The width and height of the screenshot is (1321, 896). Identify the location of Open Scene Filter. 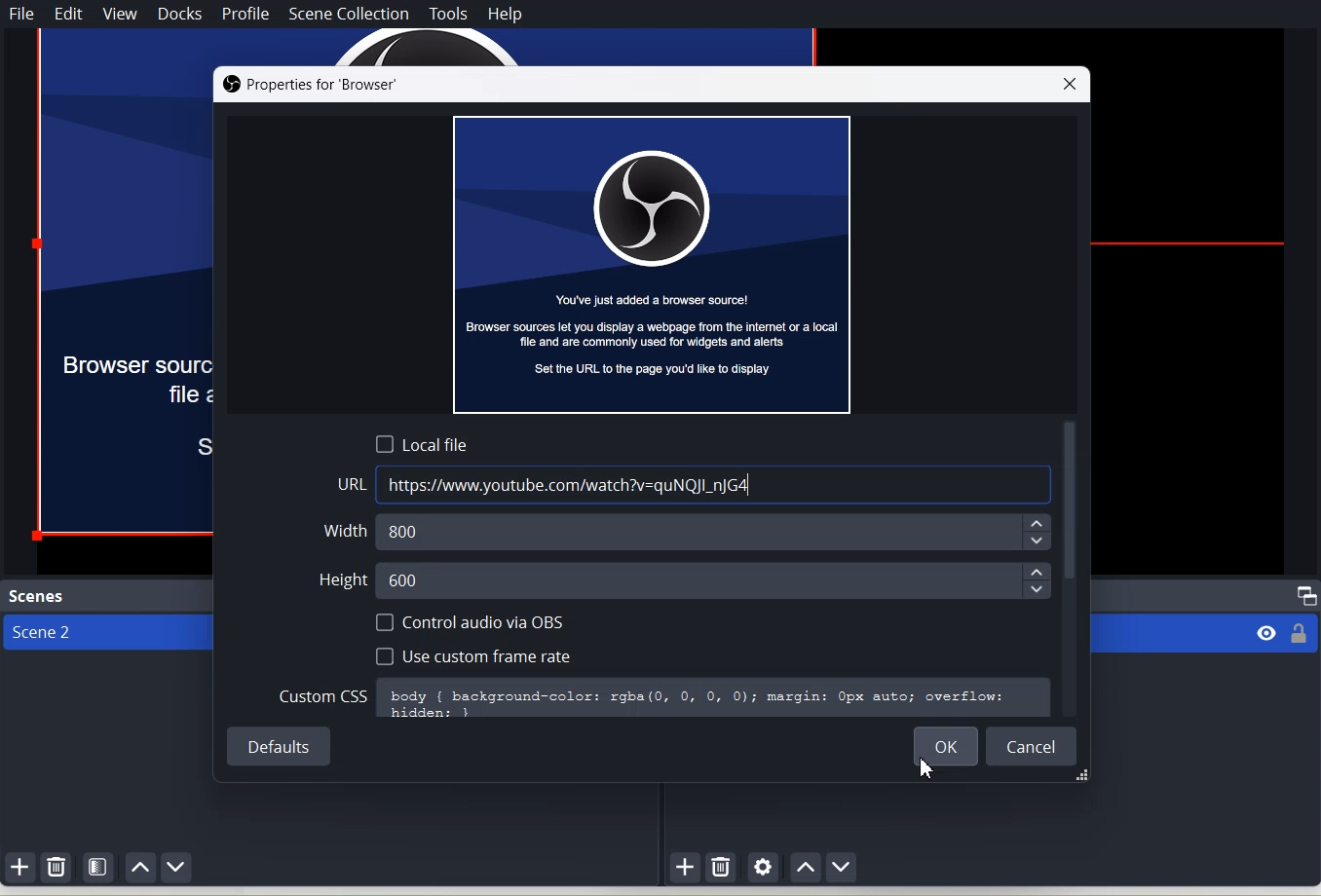
(99, 866).